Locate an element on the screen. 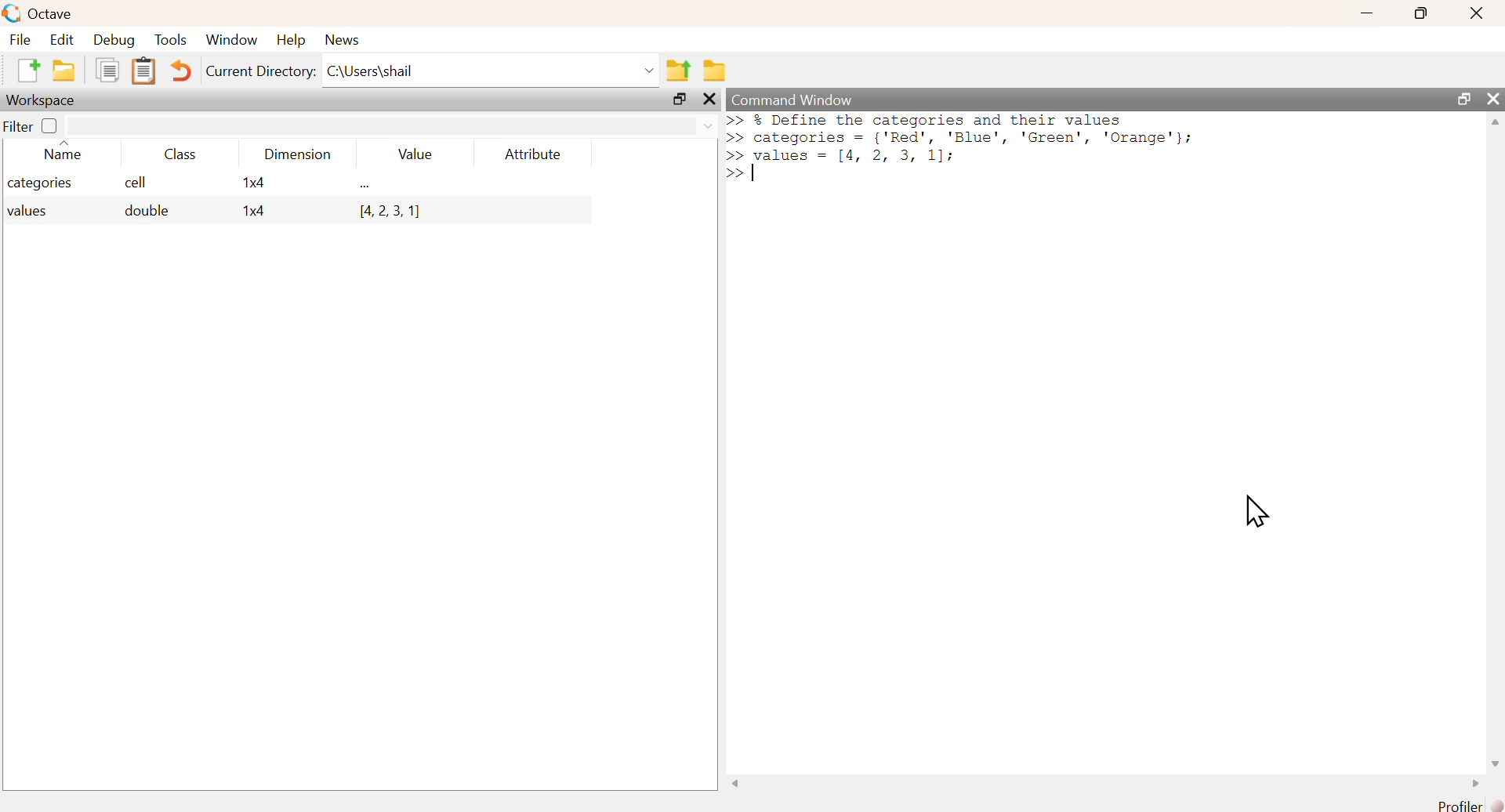 The image size is (1505, 812). Class is located at coordinates (181, 154).